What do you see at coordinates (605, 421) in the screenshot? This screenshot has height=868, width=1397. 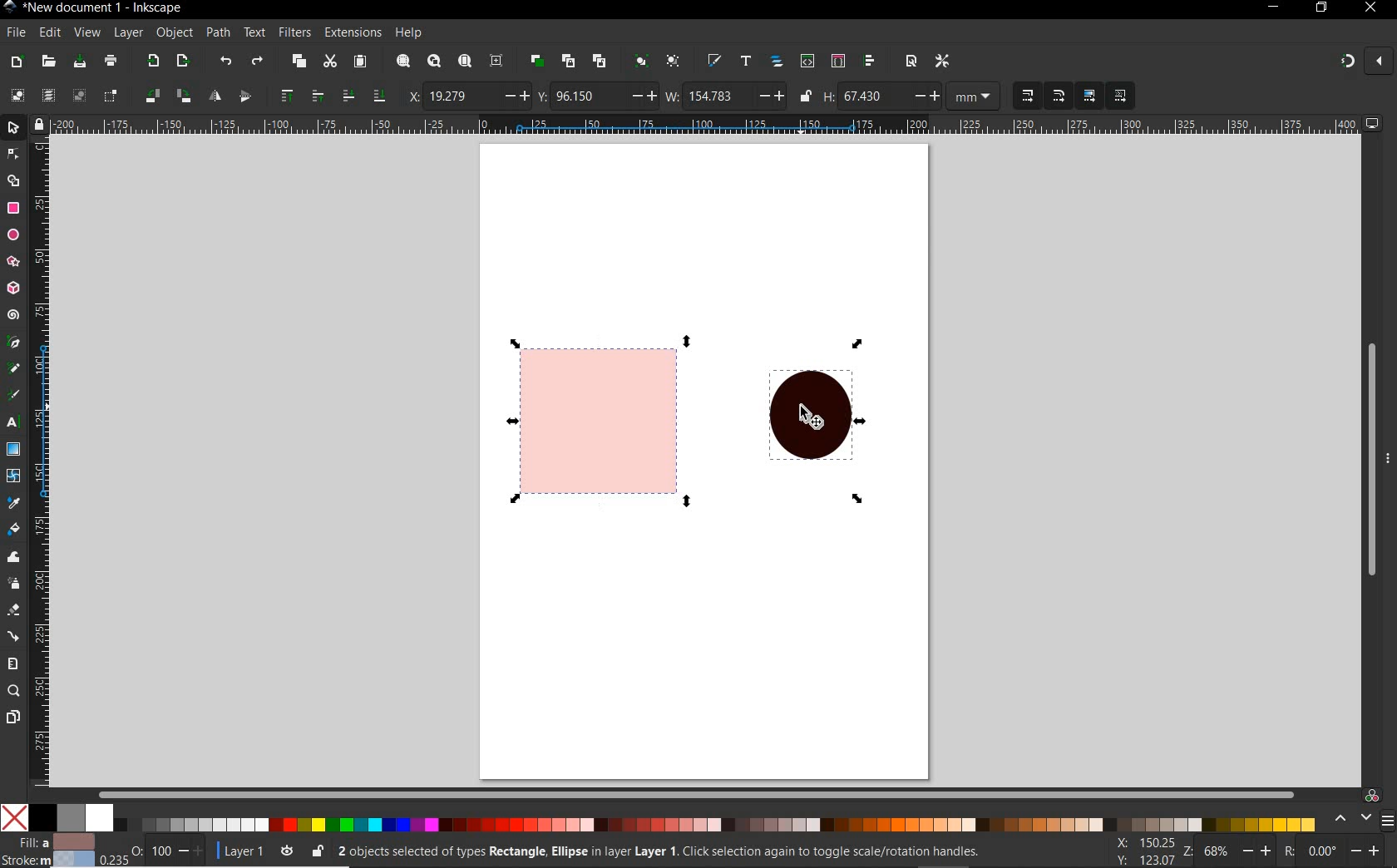 I see `shape selected` at bounding box center [605, 421].